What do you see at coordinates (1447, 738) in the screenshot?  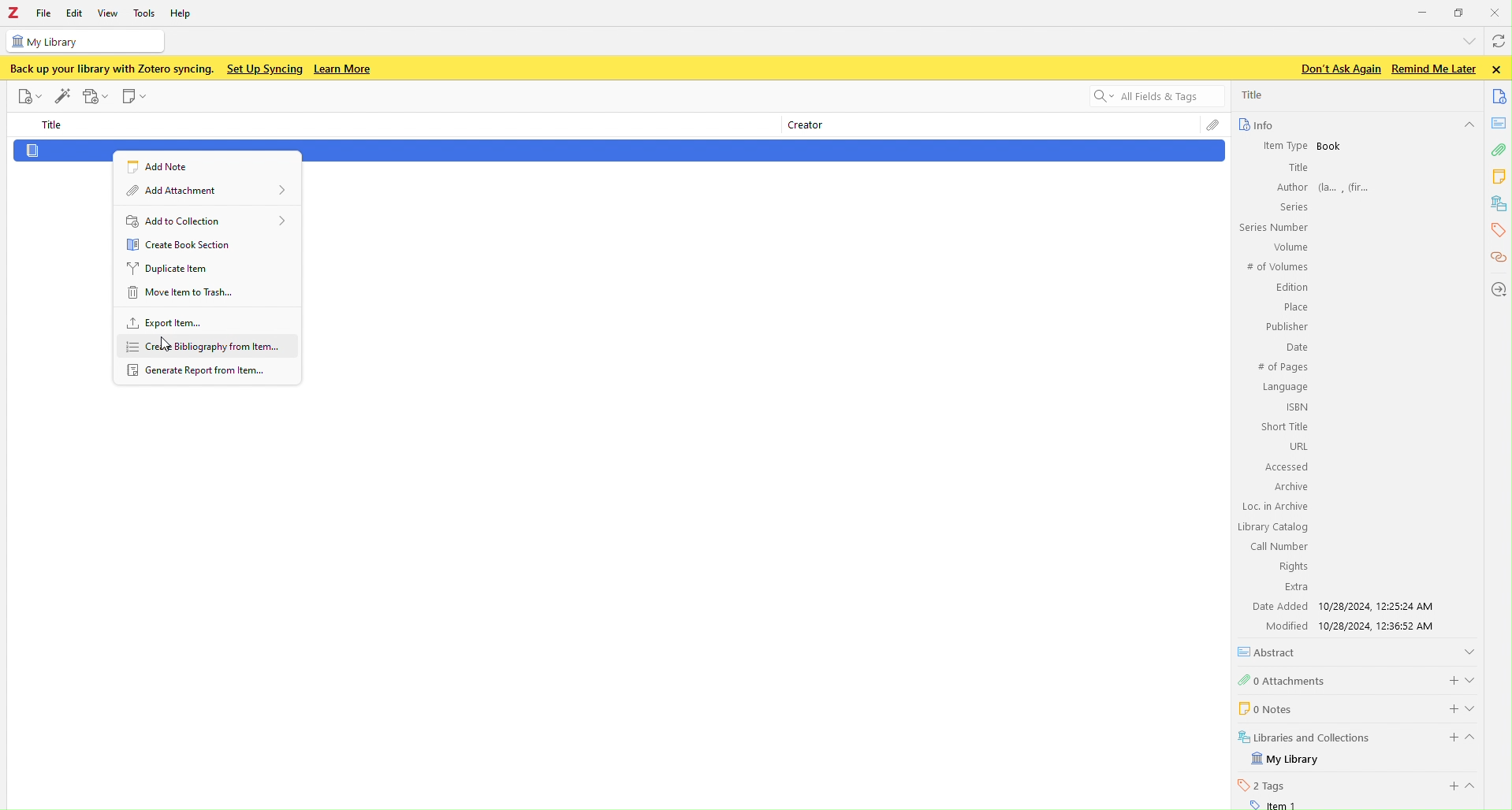 I see `add` at bounding box center [1447, 738].